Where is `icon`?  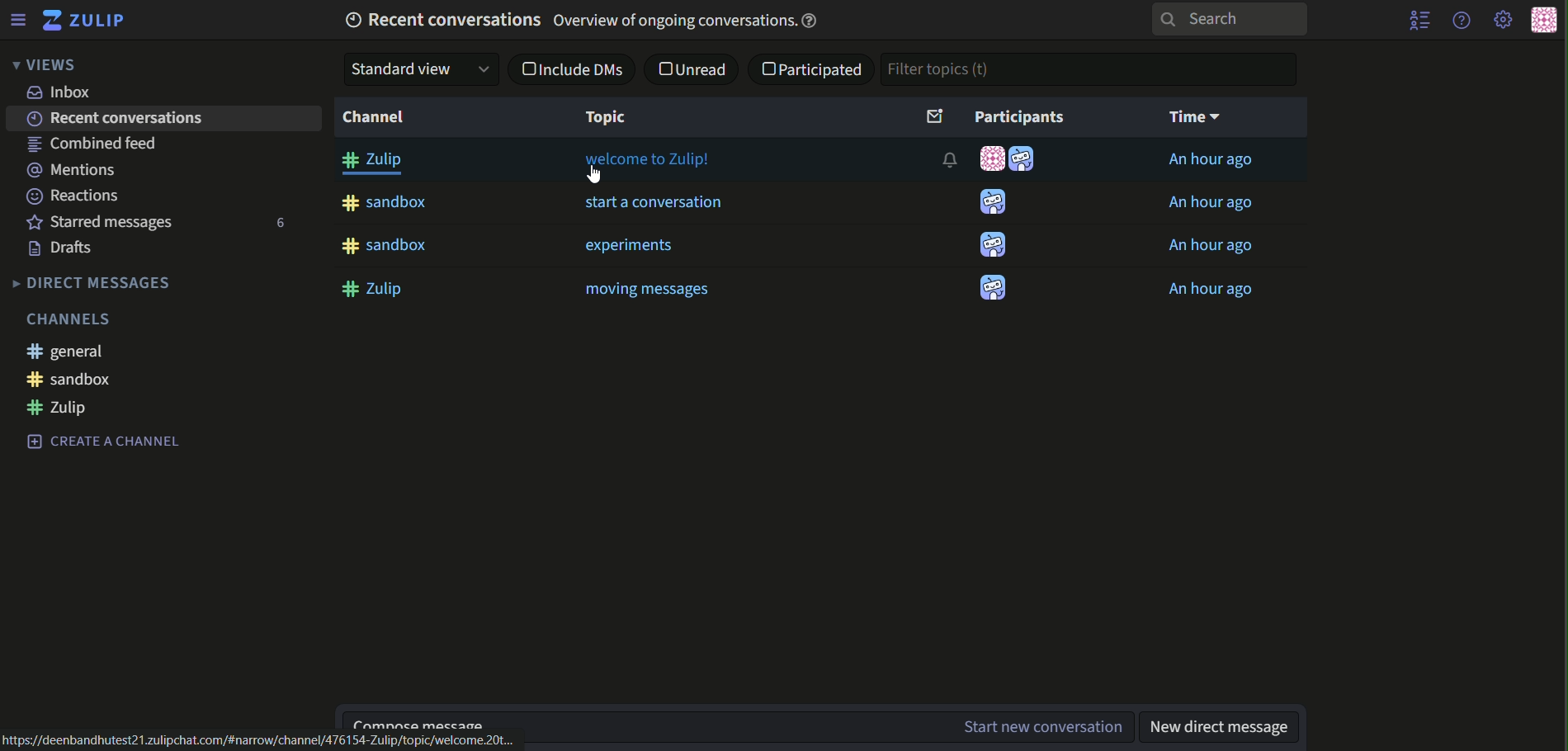
icon is located at coordinates (989, 246).